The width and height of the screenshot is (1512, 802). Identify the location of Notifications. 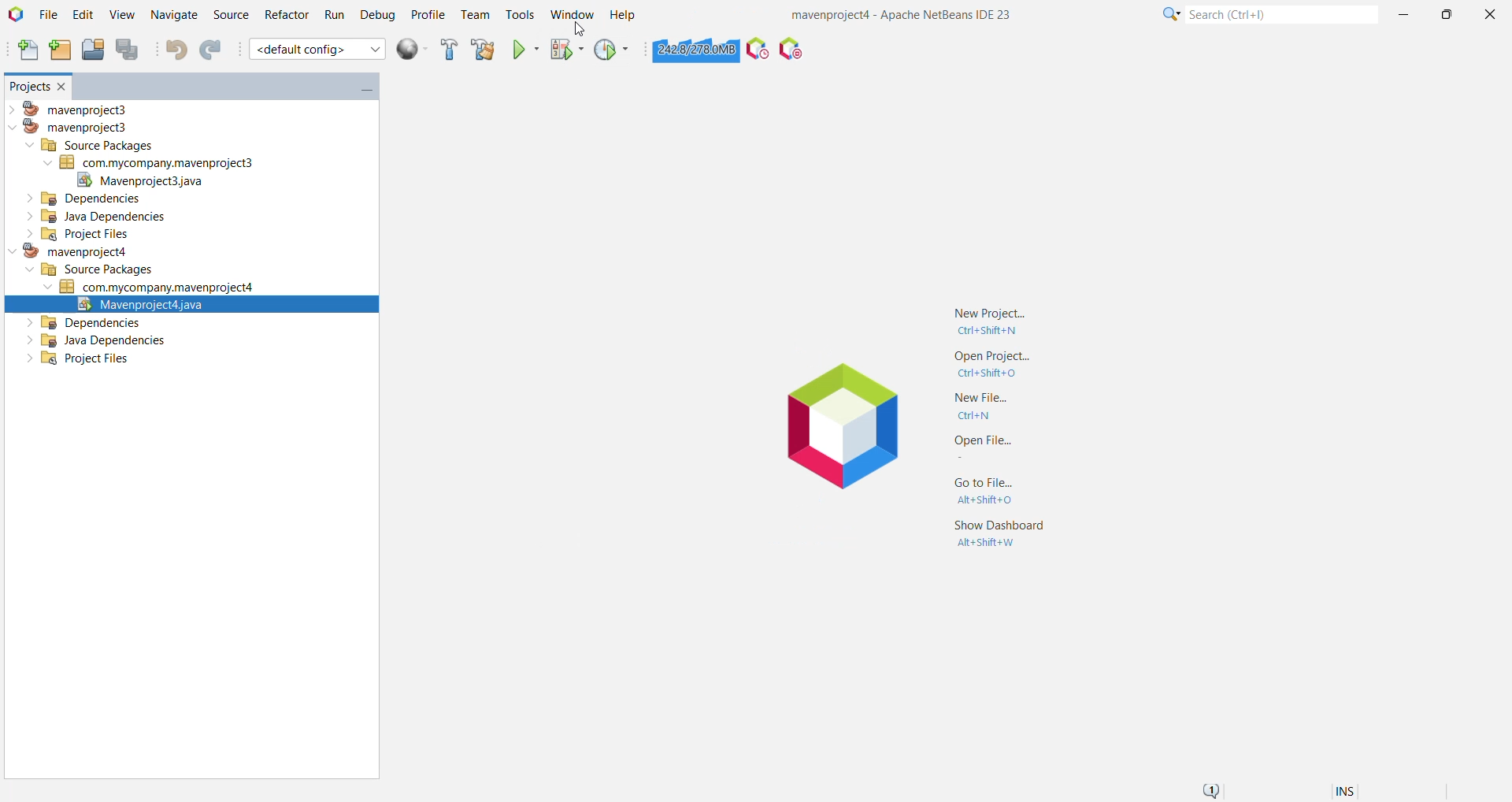
(1214, 788).